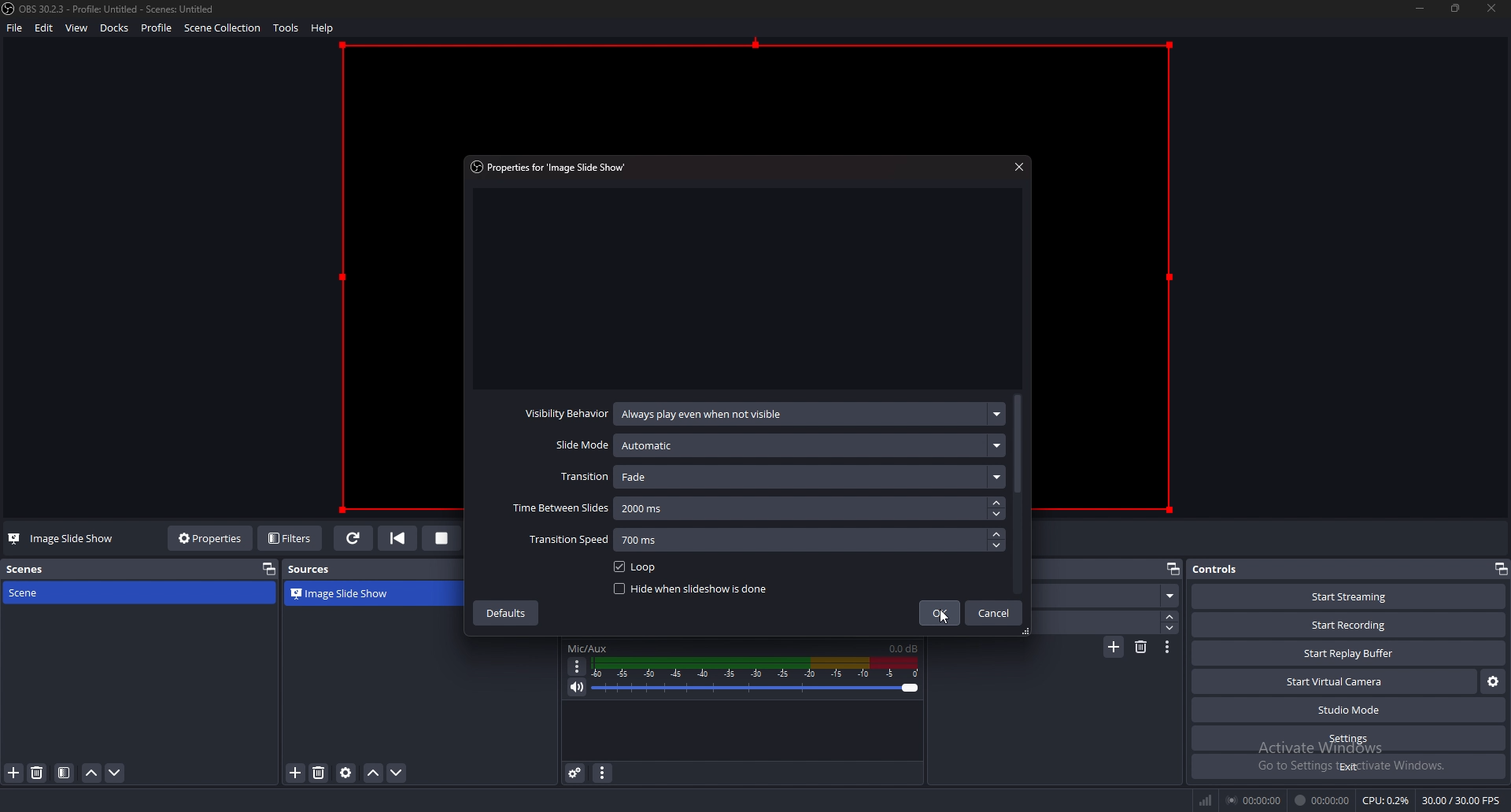  I want to click on source properties, so click(346, 773).